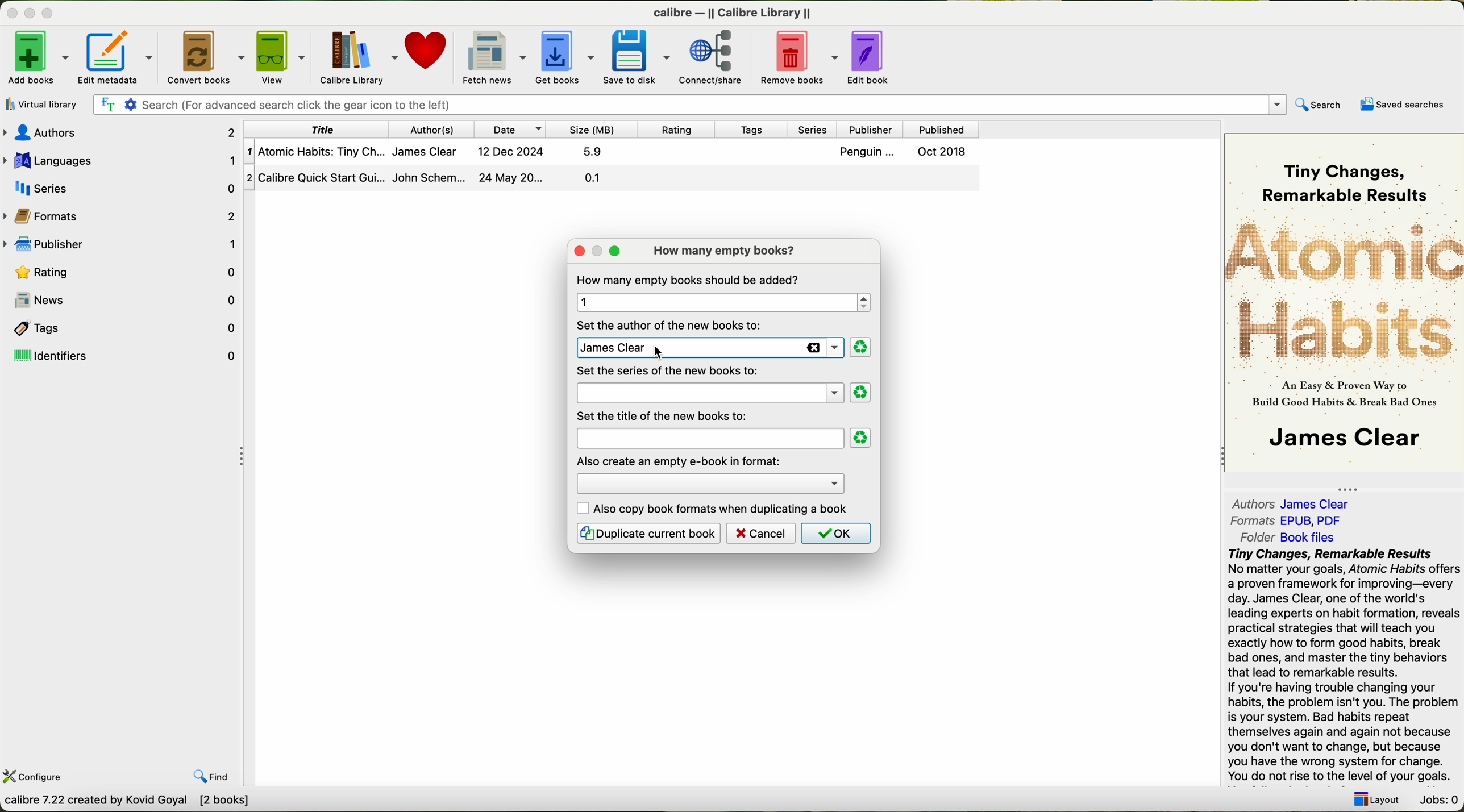 Image resolution: width=1464 pixels, height=812 pixels. Describe the element at coordinates (861, 438) in the screenshot. I see `clear` at that location.